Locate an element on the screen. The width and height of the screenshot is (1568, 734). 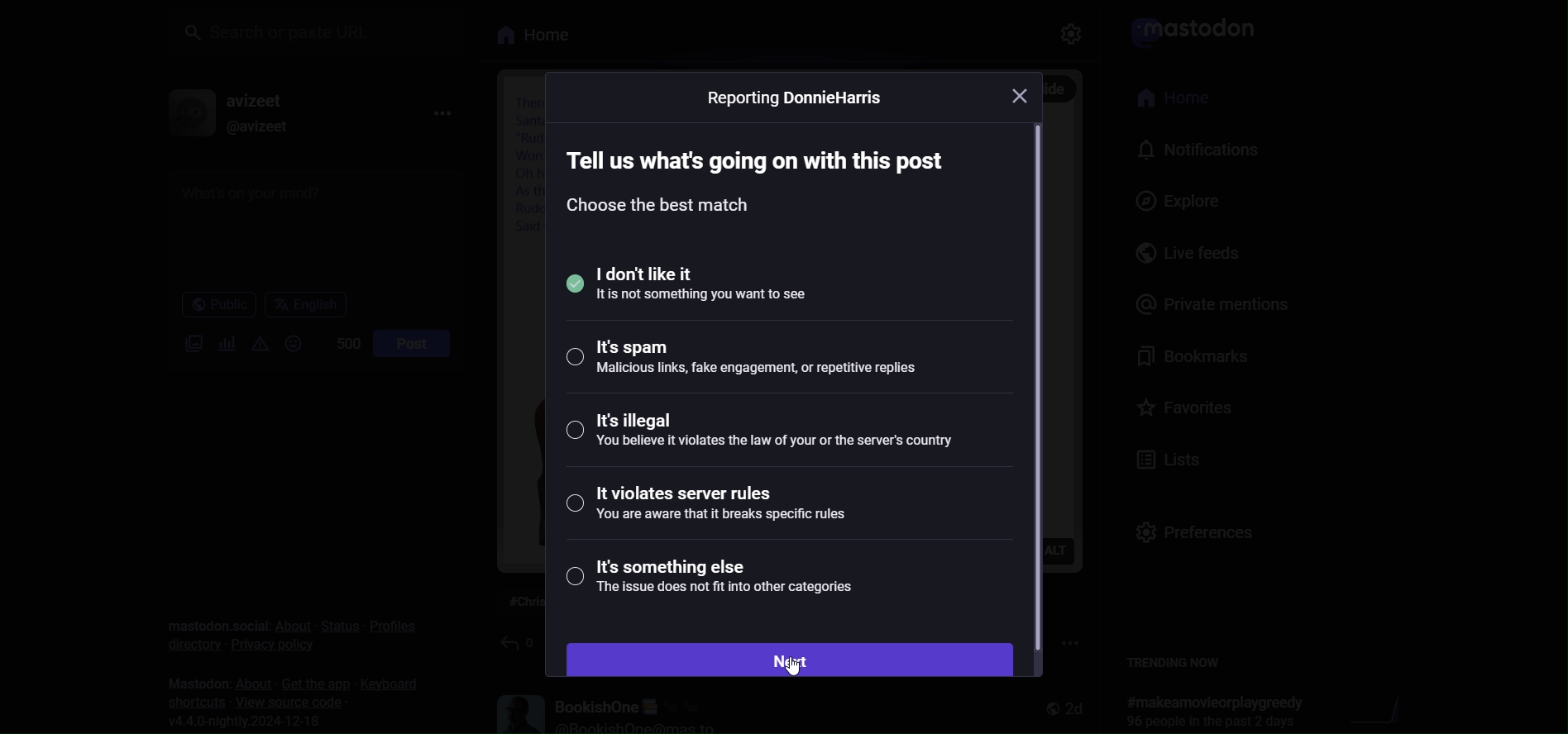
profile picture is located at coordinates (182, 113).